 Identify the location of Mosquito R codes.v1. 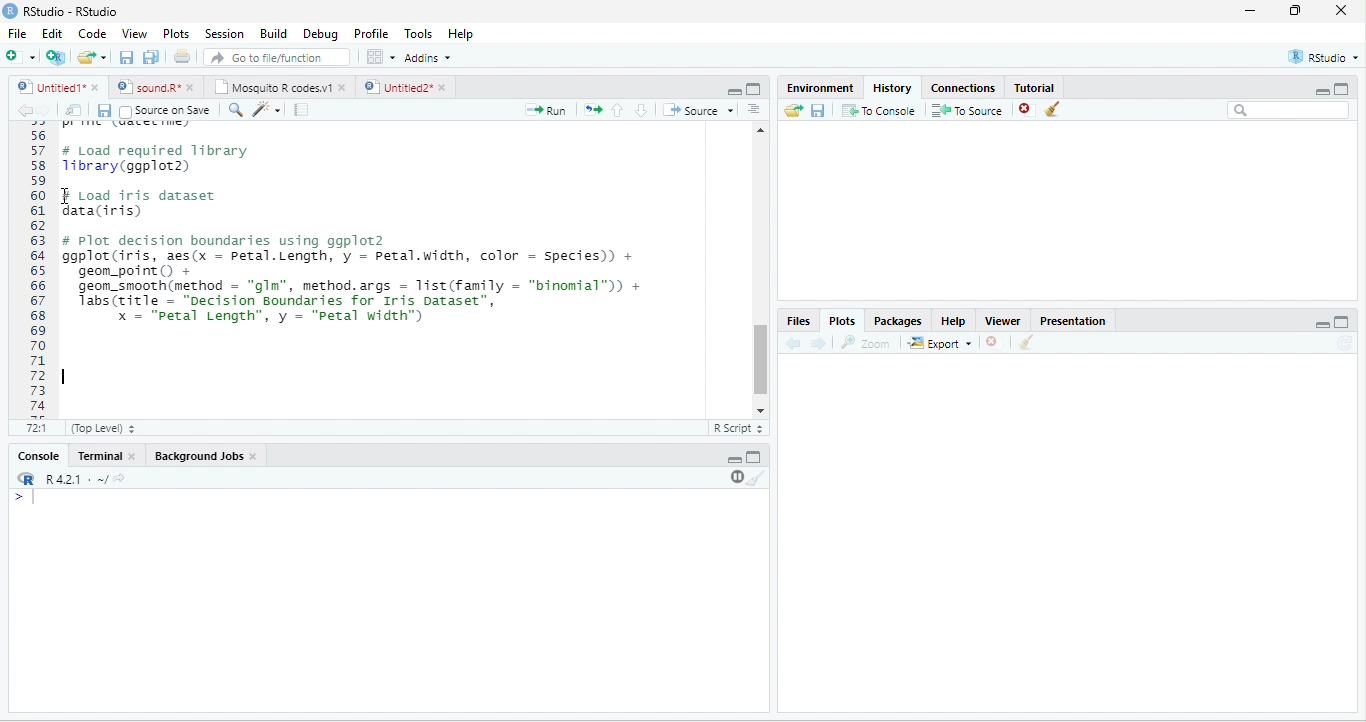
(271, 87).